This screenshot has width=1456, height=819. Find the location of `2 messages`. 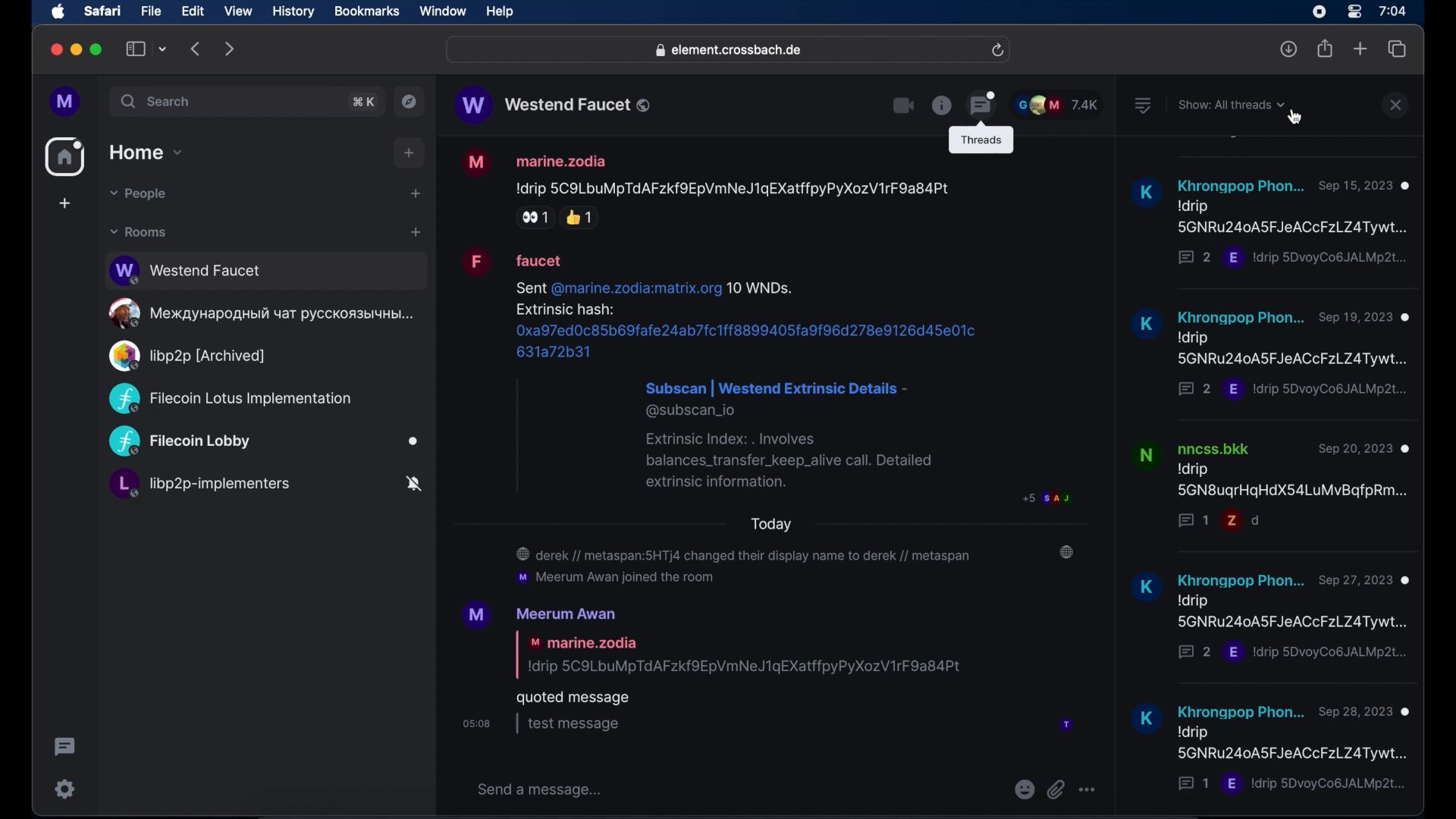

2 messages is located at coordinates (1191, 261).